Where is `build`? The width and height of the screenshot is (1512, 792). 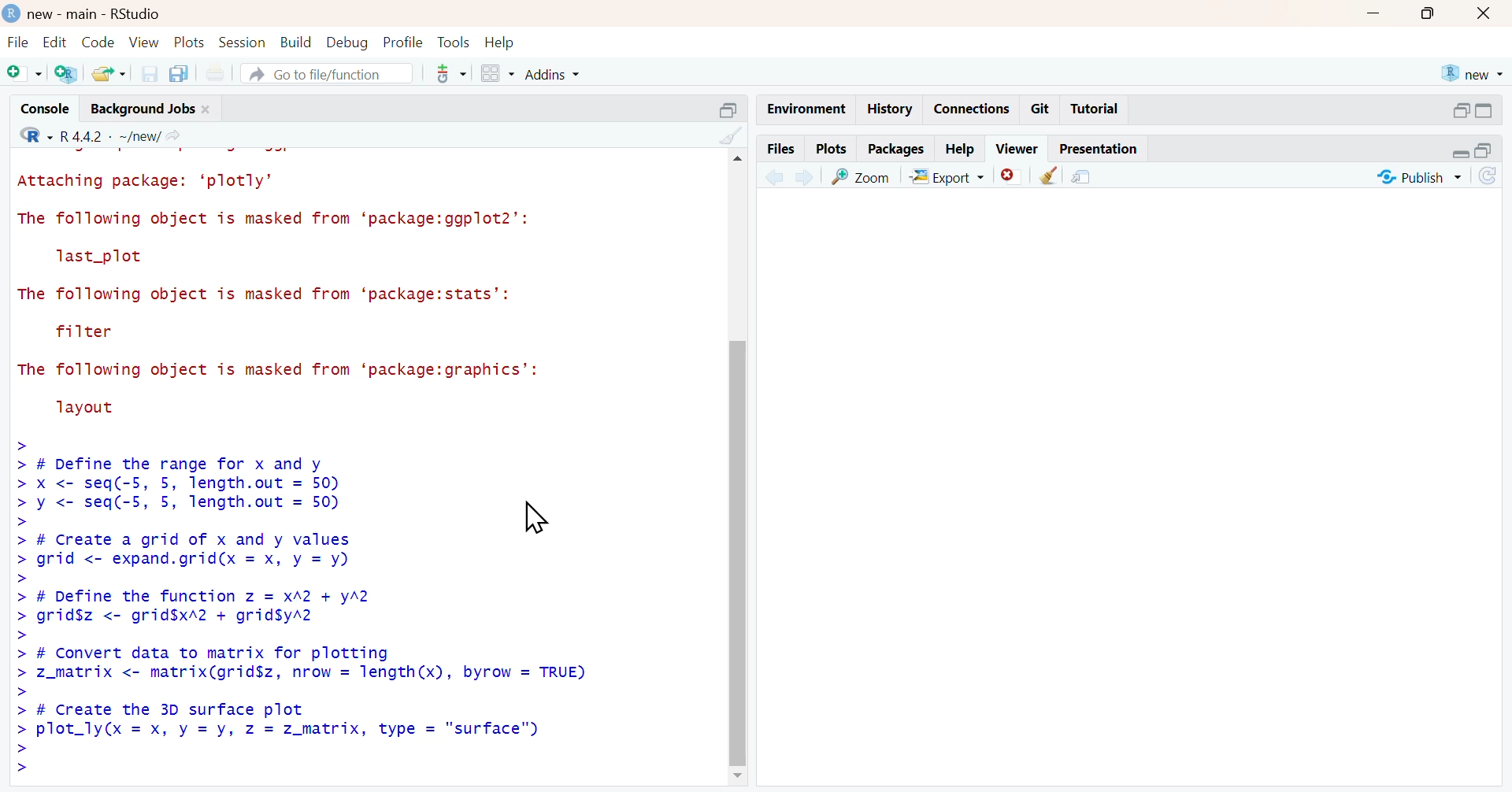 build is located at coordinates (297, 42).